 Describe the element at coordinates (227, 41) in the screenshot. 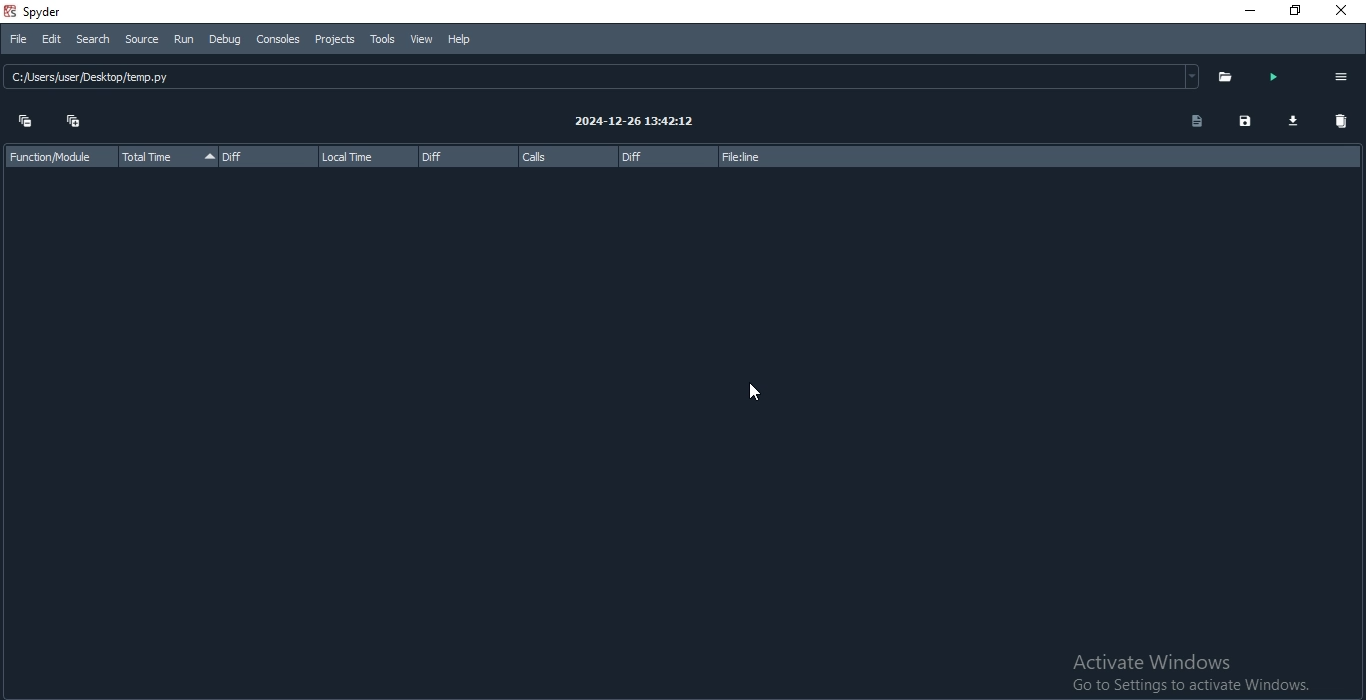

I see `Debug` at that location.